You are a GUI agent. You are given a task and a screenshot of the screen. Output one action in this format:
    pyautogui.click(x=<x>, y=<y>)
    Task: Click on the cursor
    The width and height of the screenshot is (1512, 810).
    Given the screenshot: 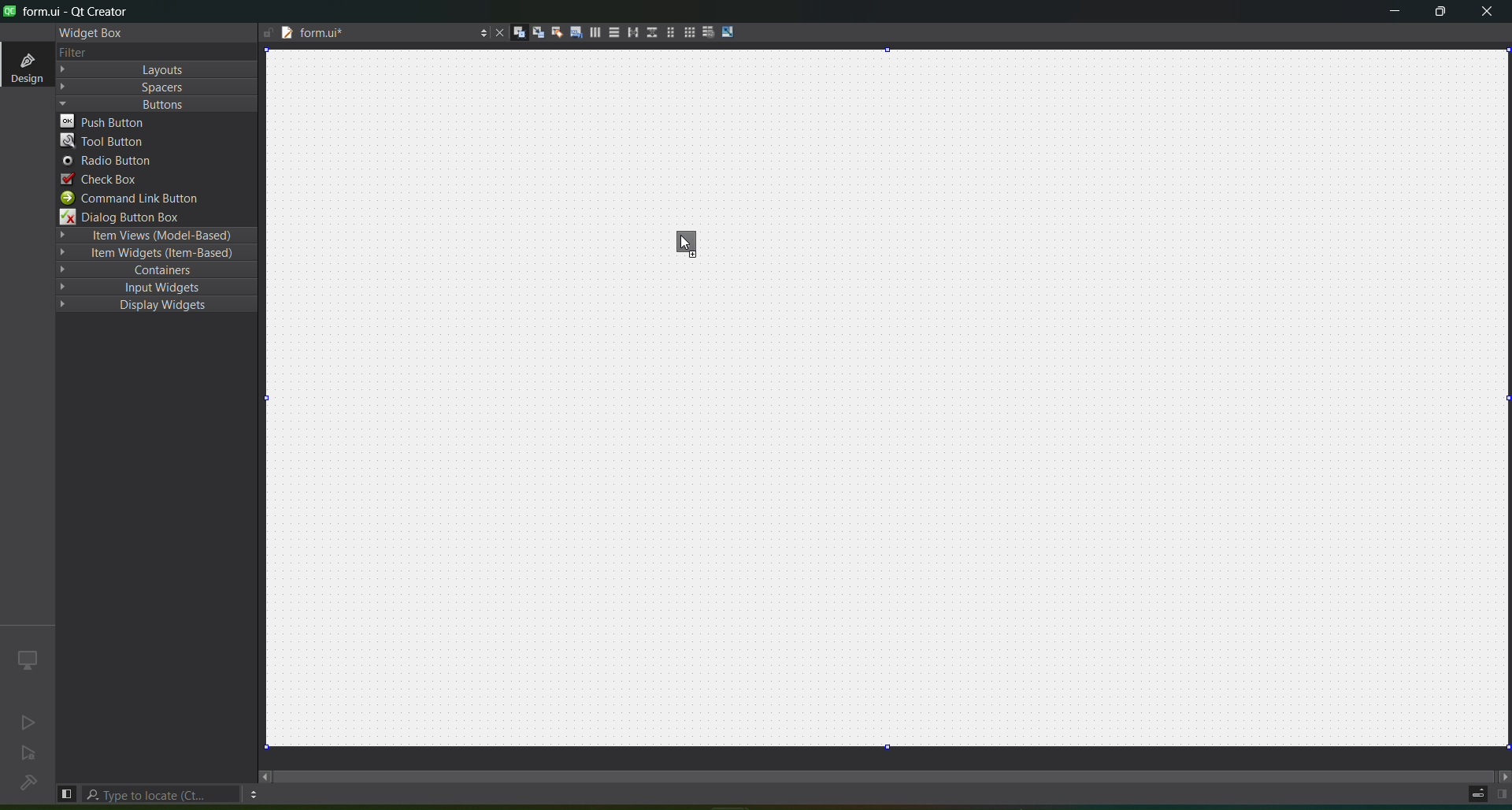 What is the action you would take?
    pyautogui.click(x=686, y=245)
    